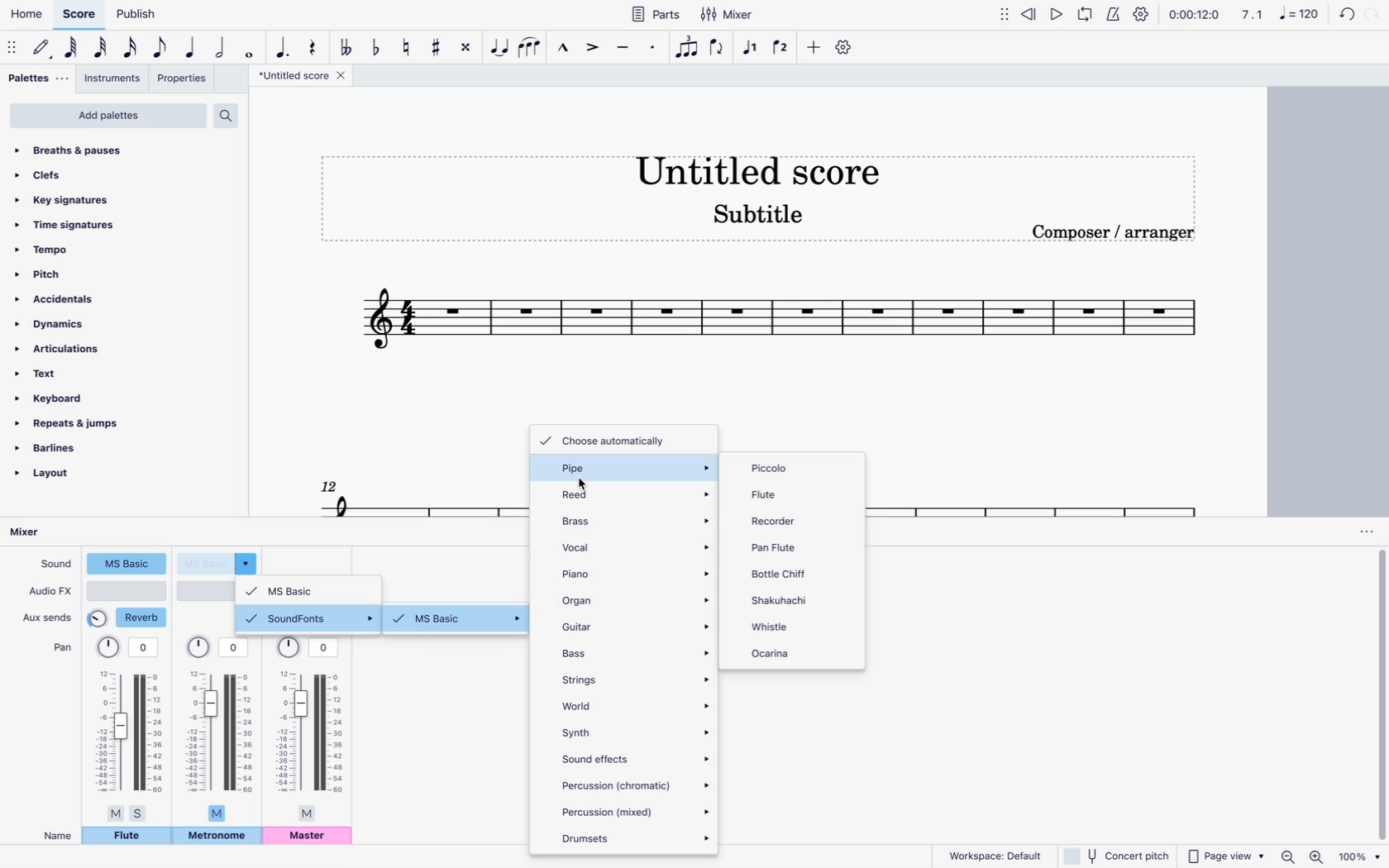 This screenshot has height=868, width=1389. What do you see at coordinates (782, 522) in the screenshot?
I see `recorder` at bounding box center [782, 522].